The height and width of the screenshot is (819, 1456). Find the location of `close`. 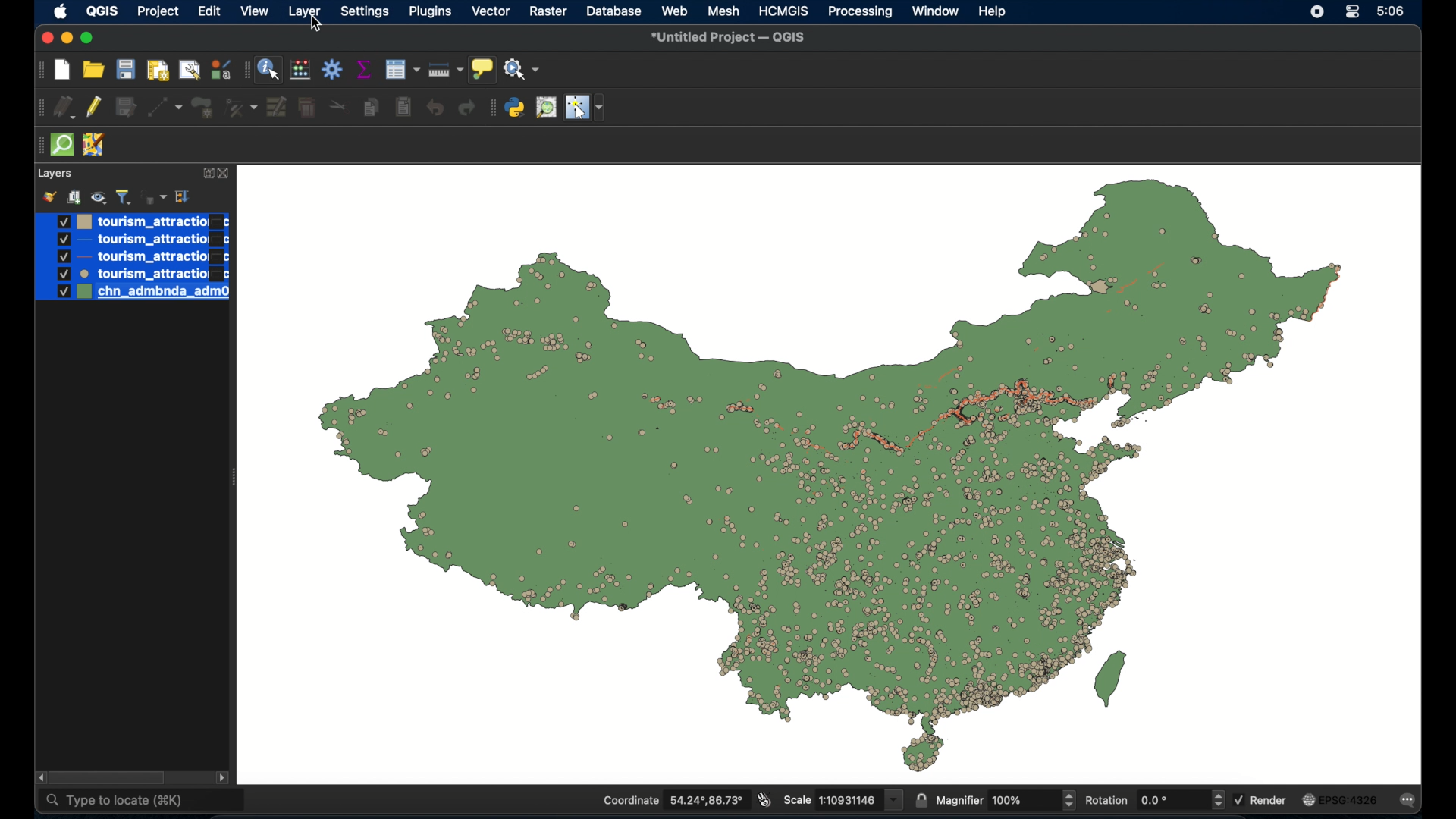

close is located at coordinates (225, 174).